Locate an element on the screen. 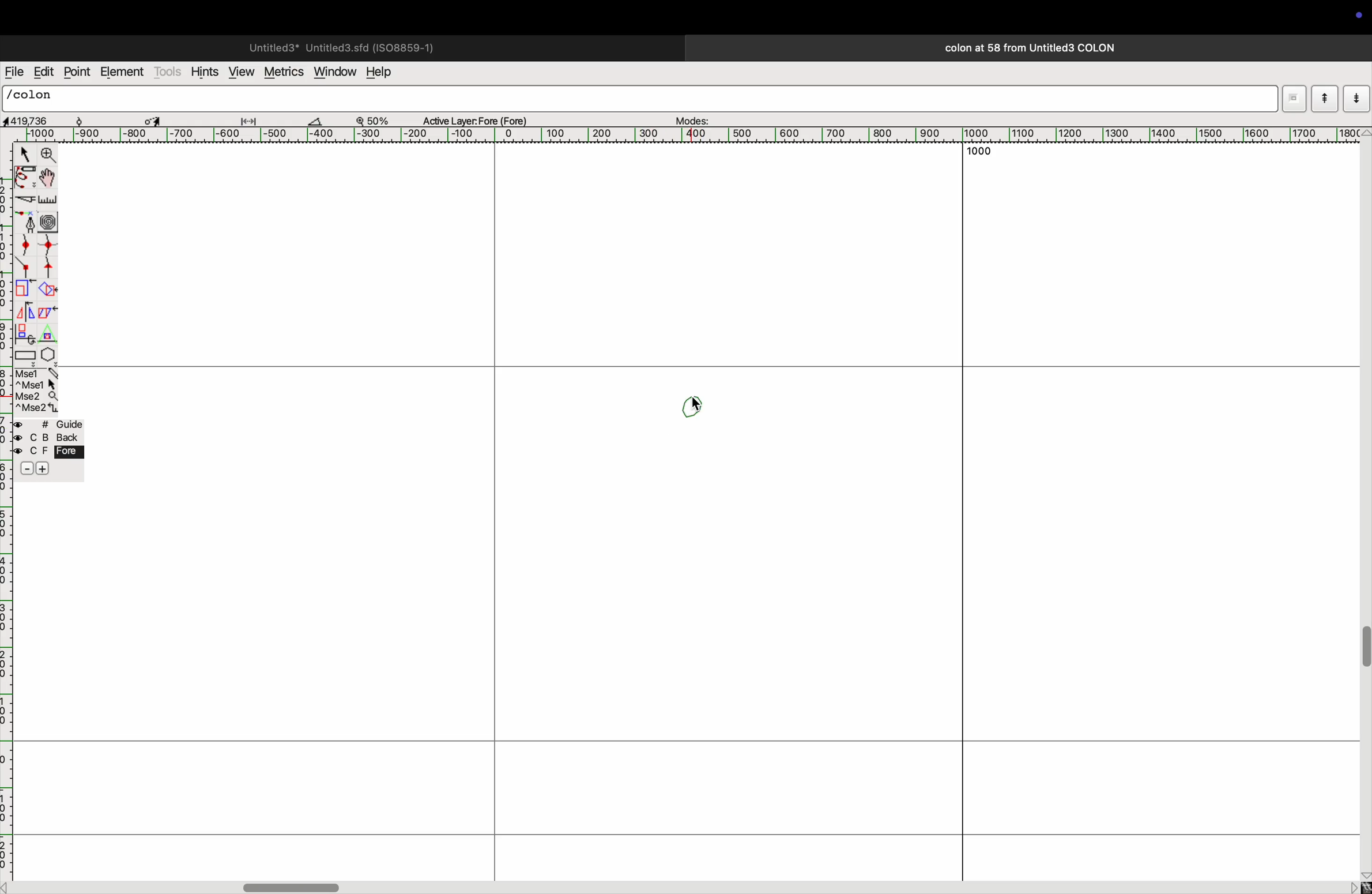  knife is located at coordinates (24, 201).